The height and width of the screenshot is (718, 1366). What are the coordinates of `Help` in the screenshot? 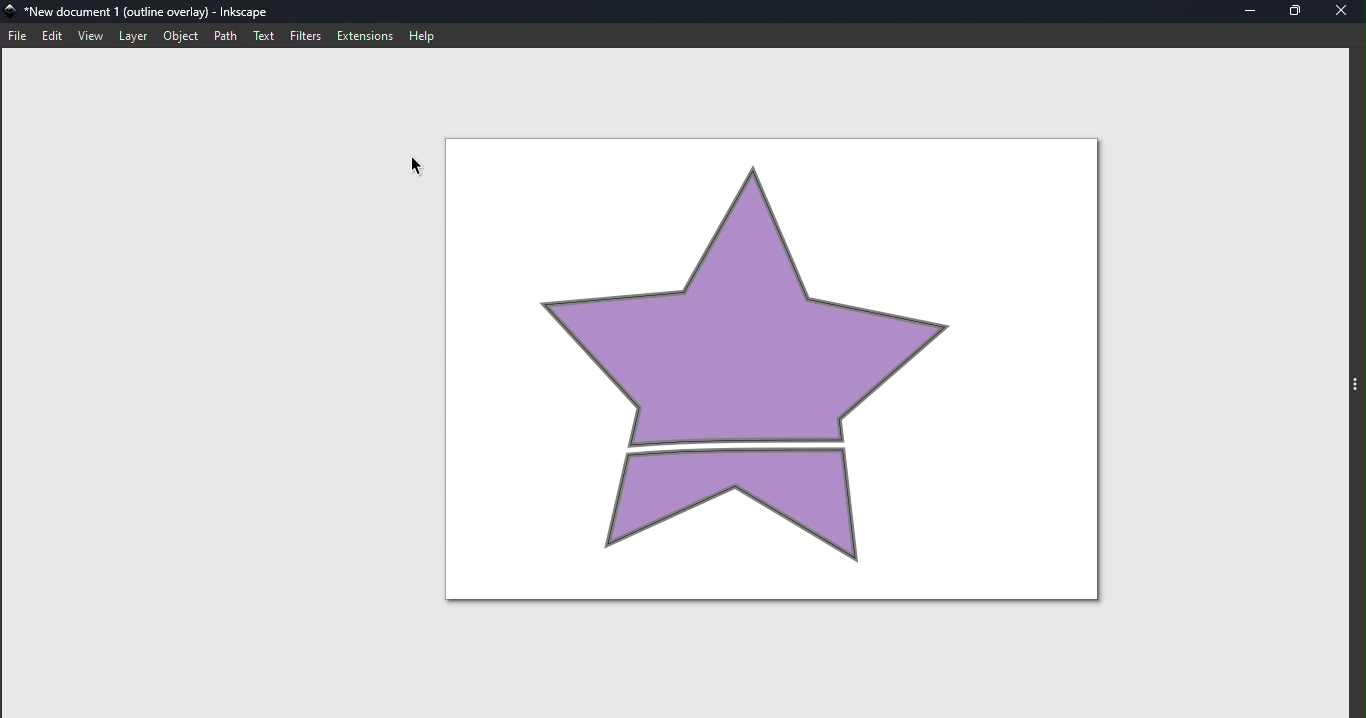 It's located at (424, 34).